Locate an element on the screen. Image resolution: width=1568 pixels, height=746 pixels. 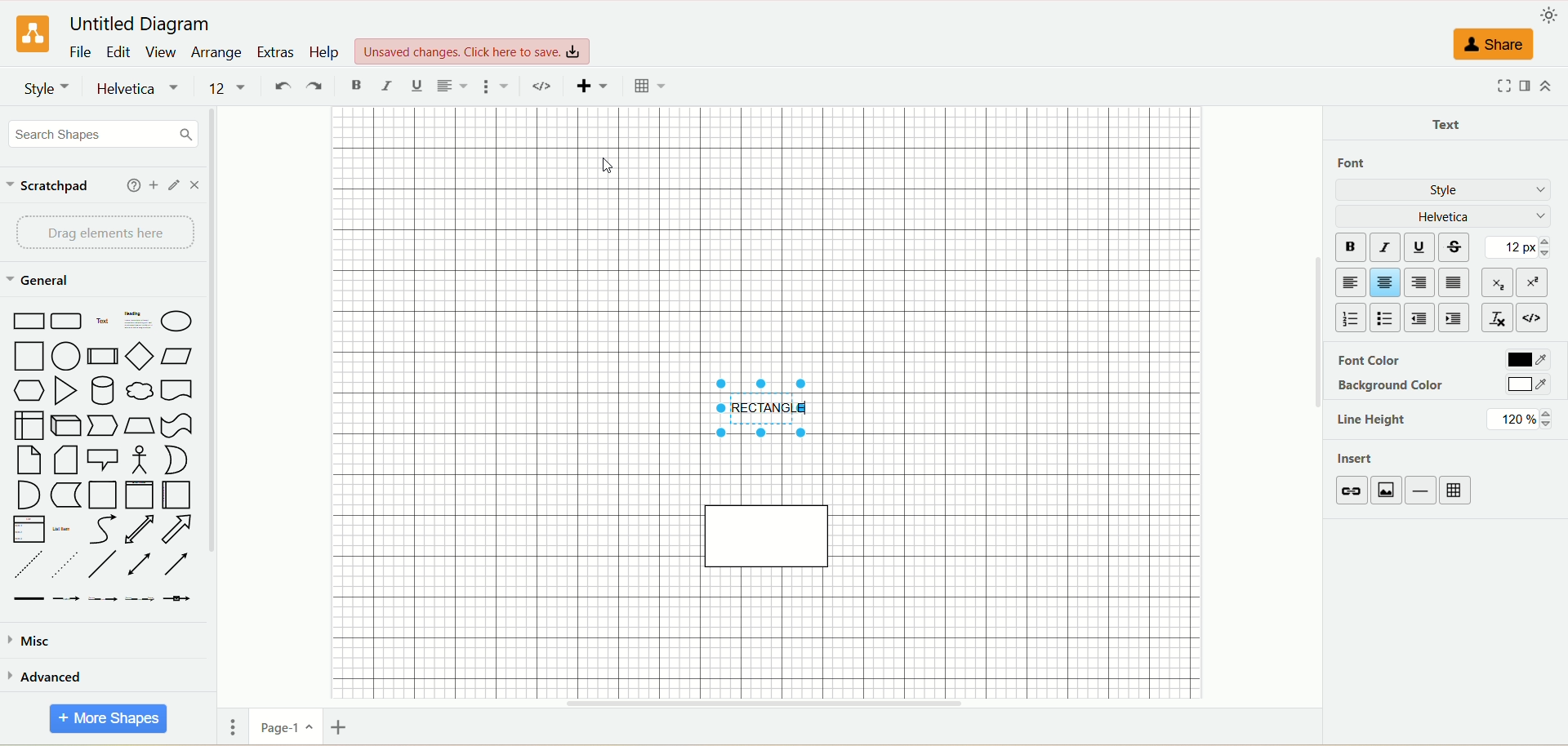
right is located at coordinates (1423, 282).